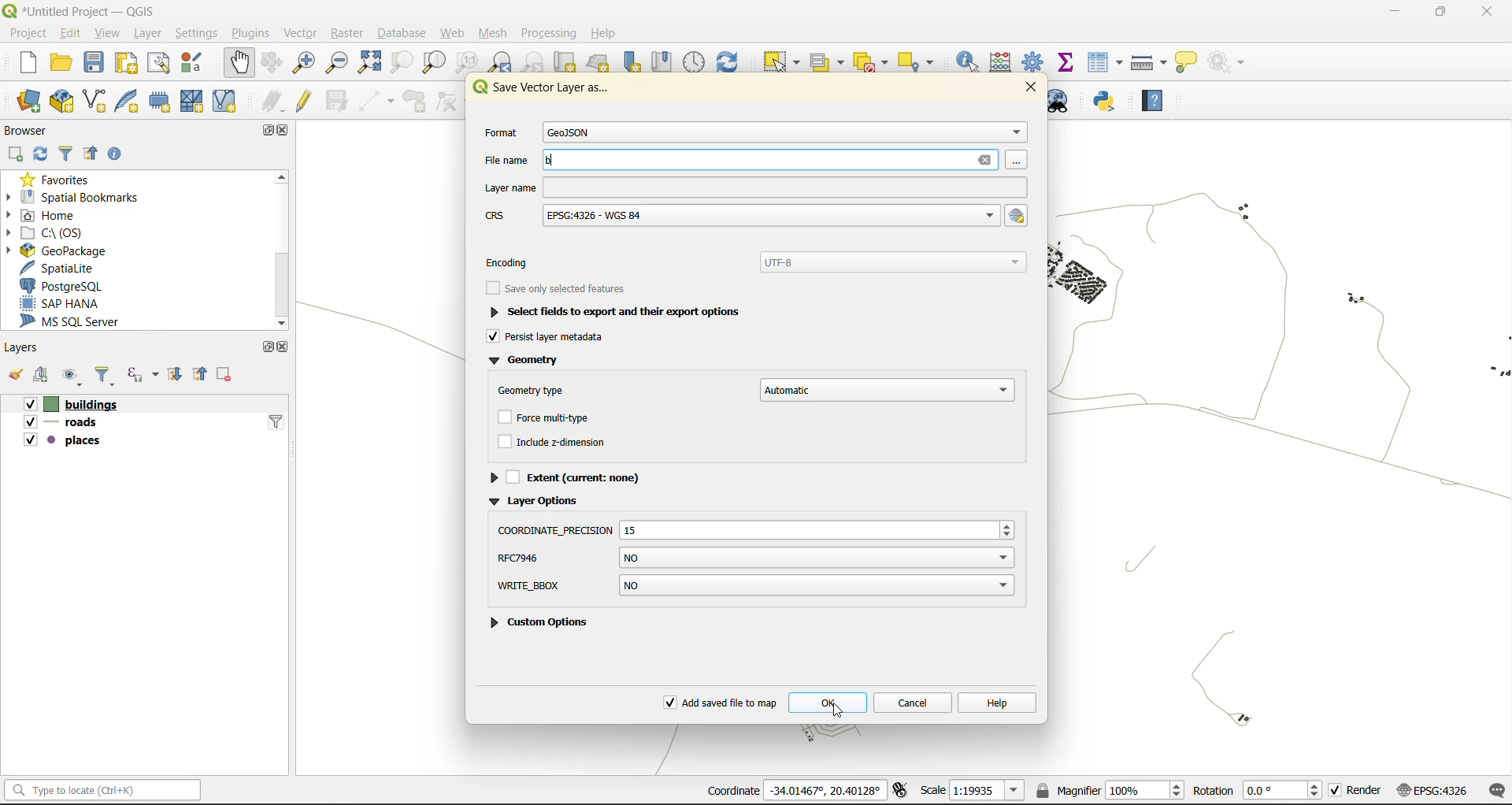 Image resolution: width=1512 pixels, height=805 pixels. I want to click on expand all, so click(180, 375).